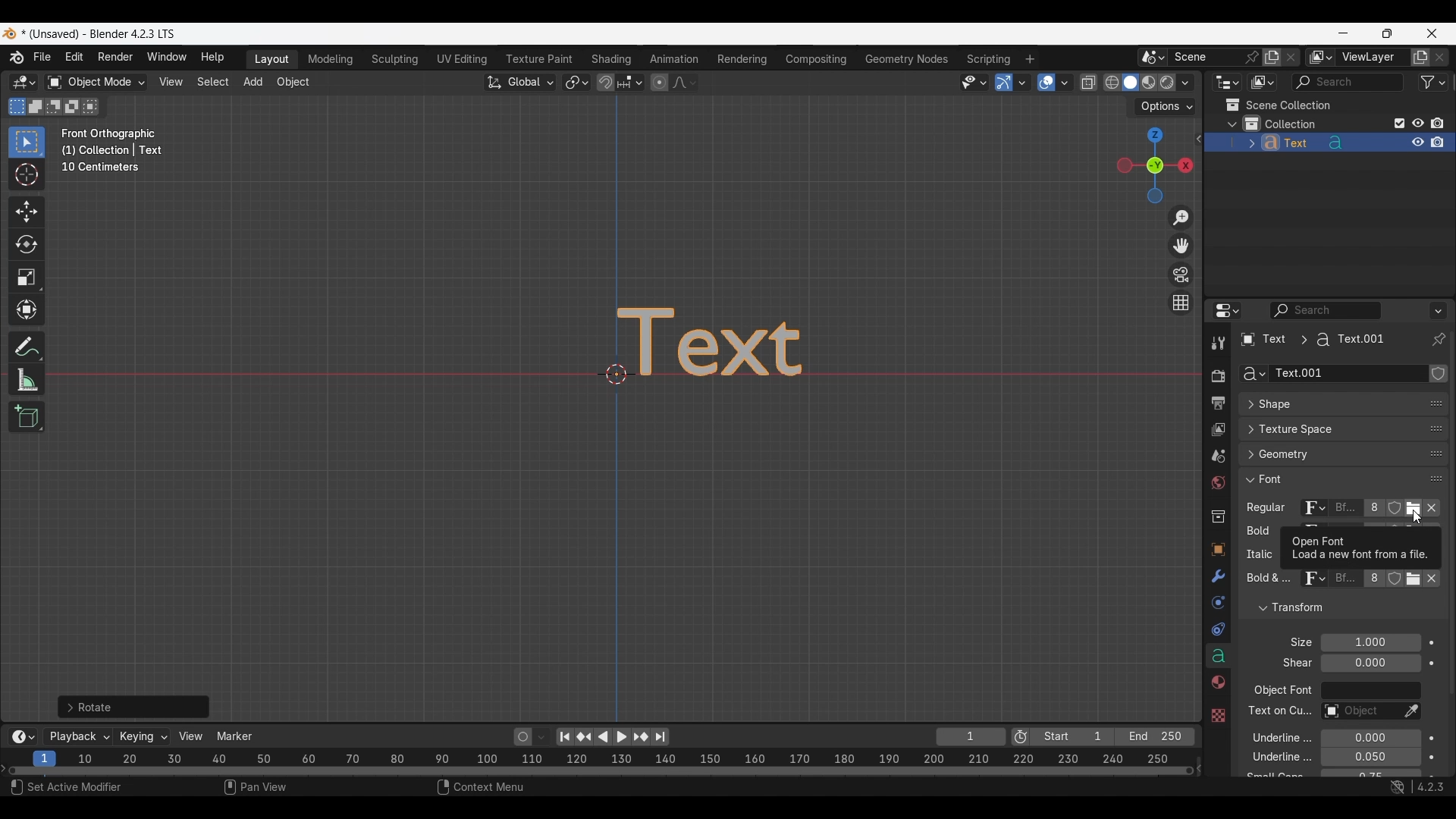 This screenshot has height=819, width=1456. What do you see at coordinates (1089, 83) in the screenshot?
I see `Toggle X-ray` at bounding box center [1089, 83].